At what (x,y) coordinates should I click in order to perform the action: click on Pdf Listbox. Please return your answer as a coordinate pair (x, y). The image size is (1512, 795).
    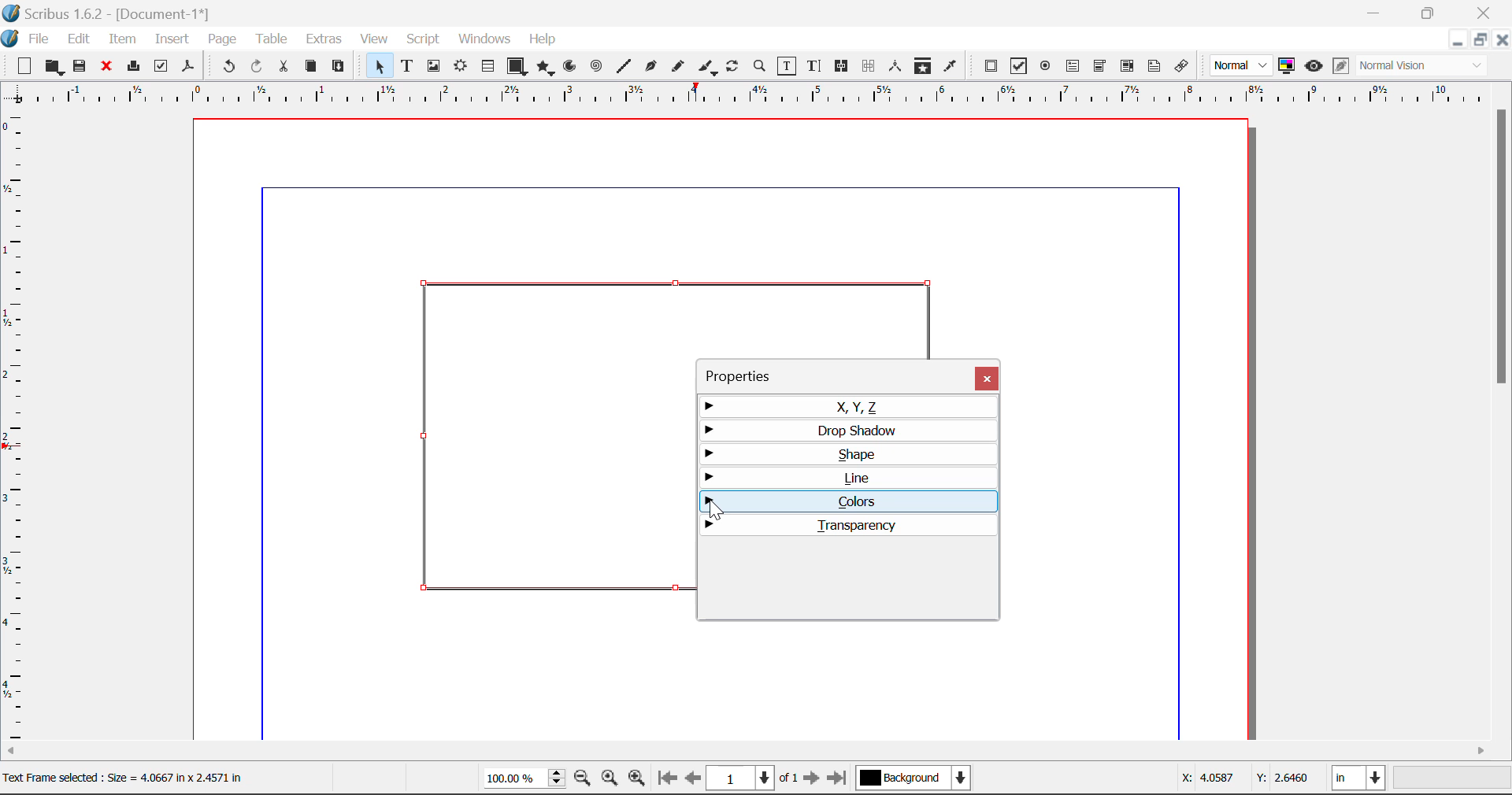
    Looking at the image, I should click on (1125, 66).